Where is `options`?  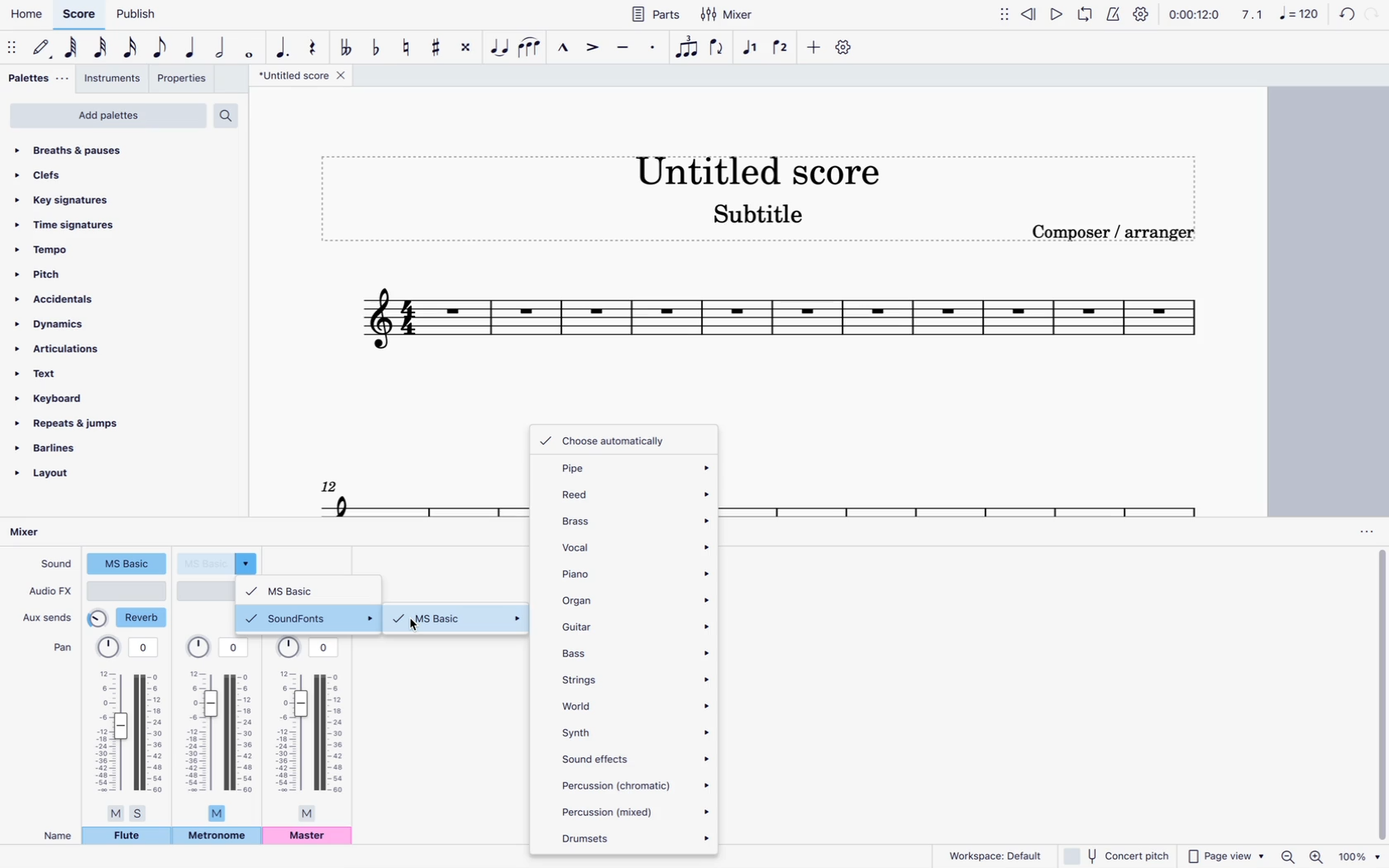 options is located at coordinates (1360, 532).